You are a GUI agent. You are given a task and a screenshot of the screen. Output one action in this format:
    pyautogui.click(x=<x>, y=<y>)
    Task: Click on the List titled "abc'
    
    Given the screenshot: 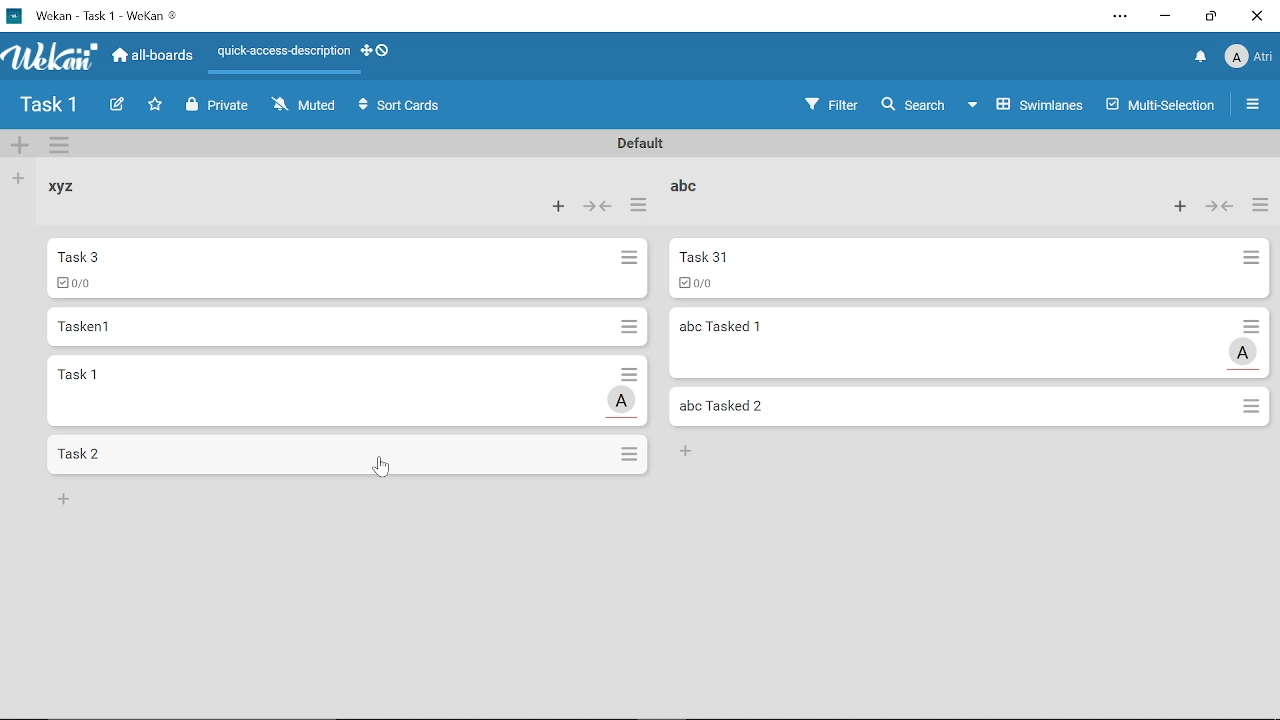 What is the action you would take?
    pyautogui.click(x=682, y=184)
    